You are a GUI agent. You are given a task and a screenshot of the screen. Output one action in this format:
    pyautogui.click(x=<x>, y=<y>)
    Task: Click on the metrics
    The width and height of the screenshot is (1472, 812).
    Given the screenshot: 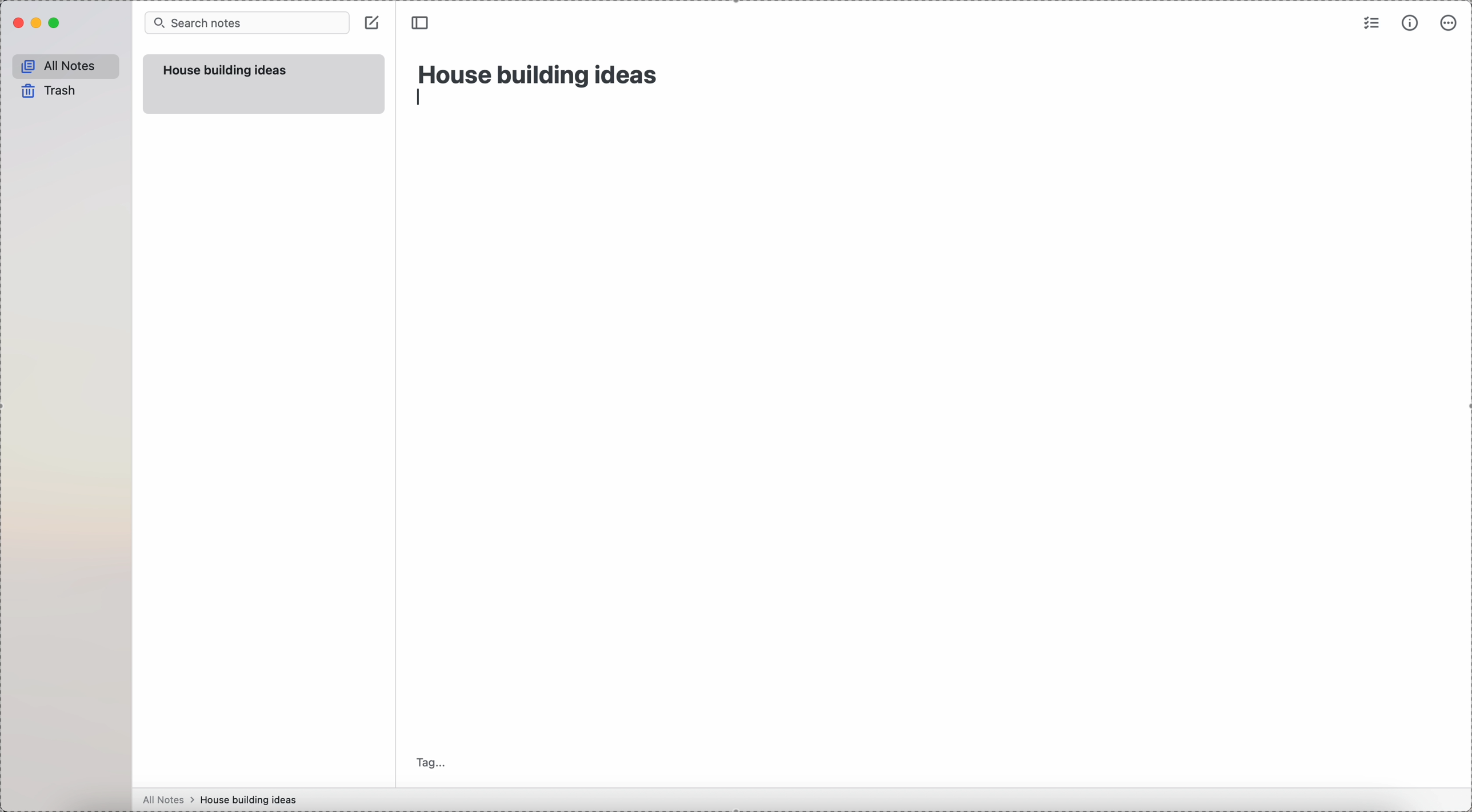 What is the action you would take?
    pyautogui.click(x=1410, y=25)
    